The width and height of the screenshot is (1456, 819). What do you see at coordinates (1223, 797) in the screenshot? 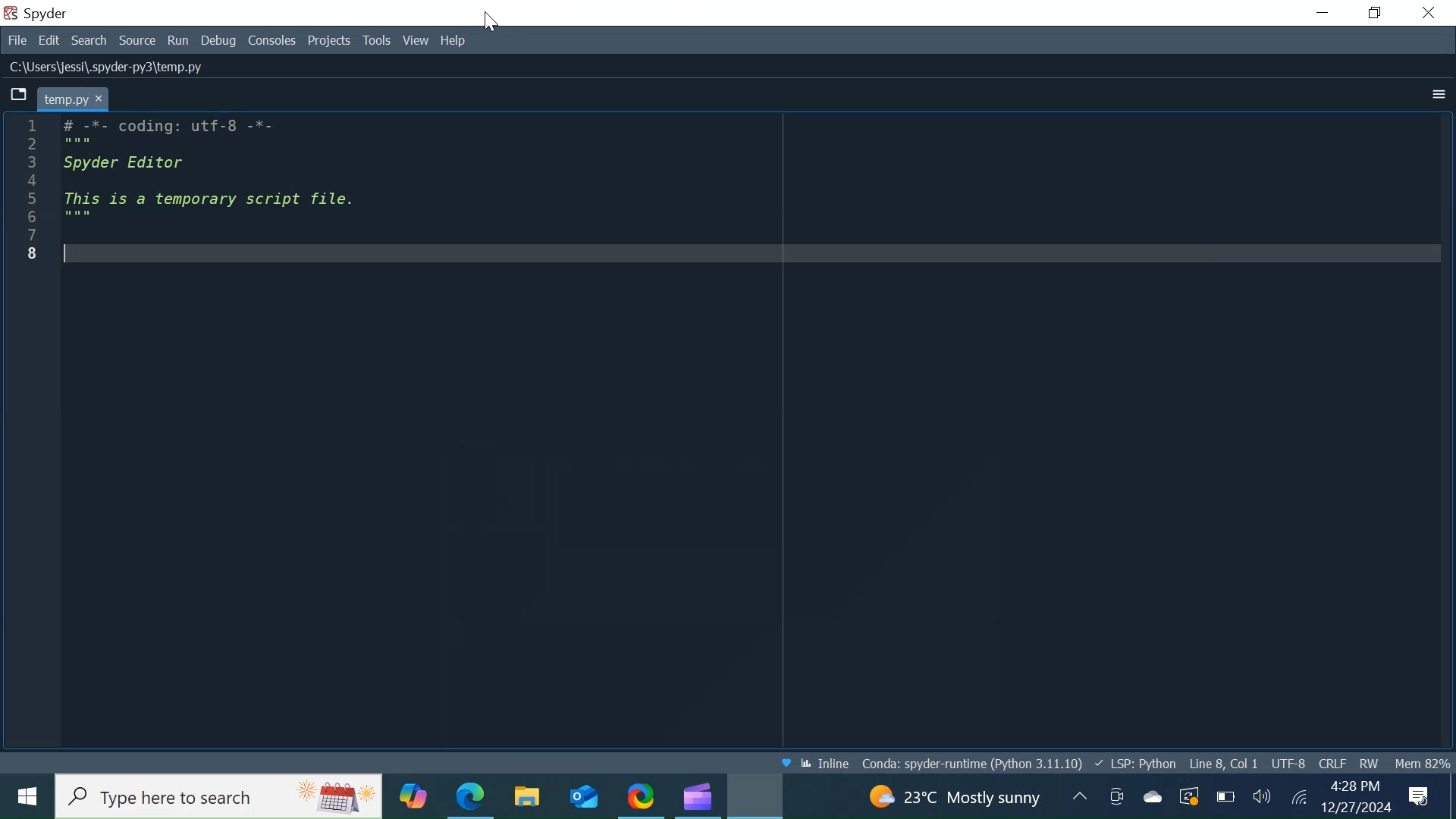
I see `Charge` at bounding box center [1223, 797].